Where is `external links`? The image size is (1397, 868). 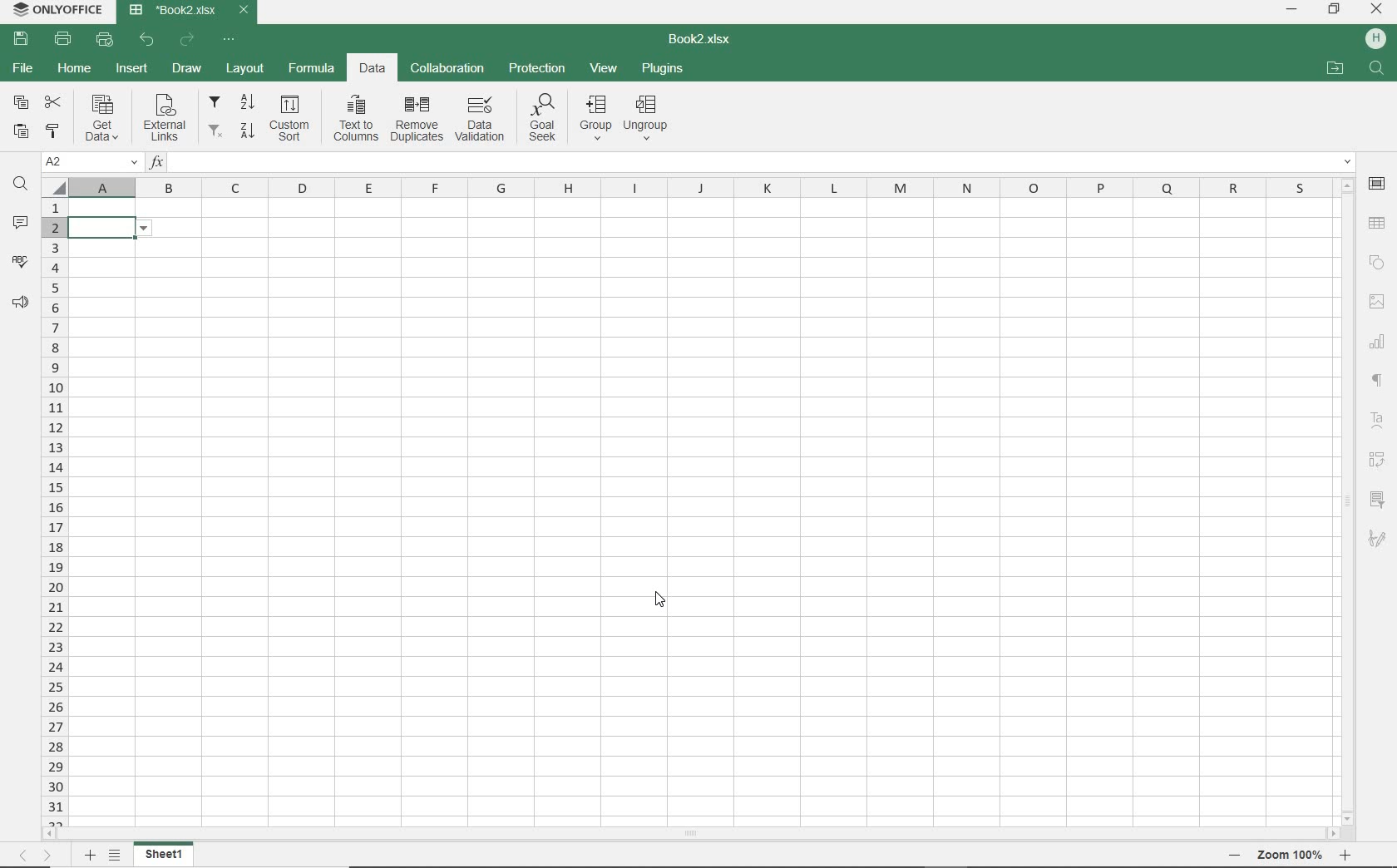 external links is located at coordinates (167, 121).